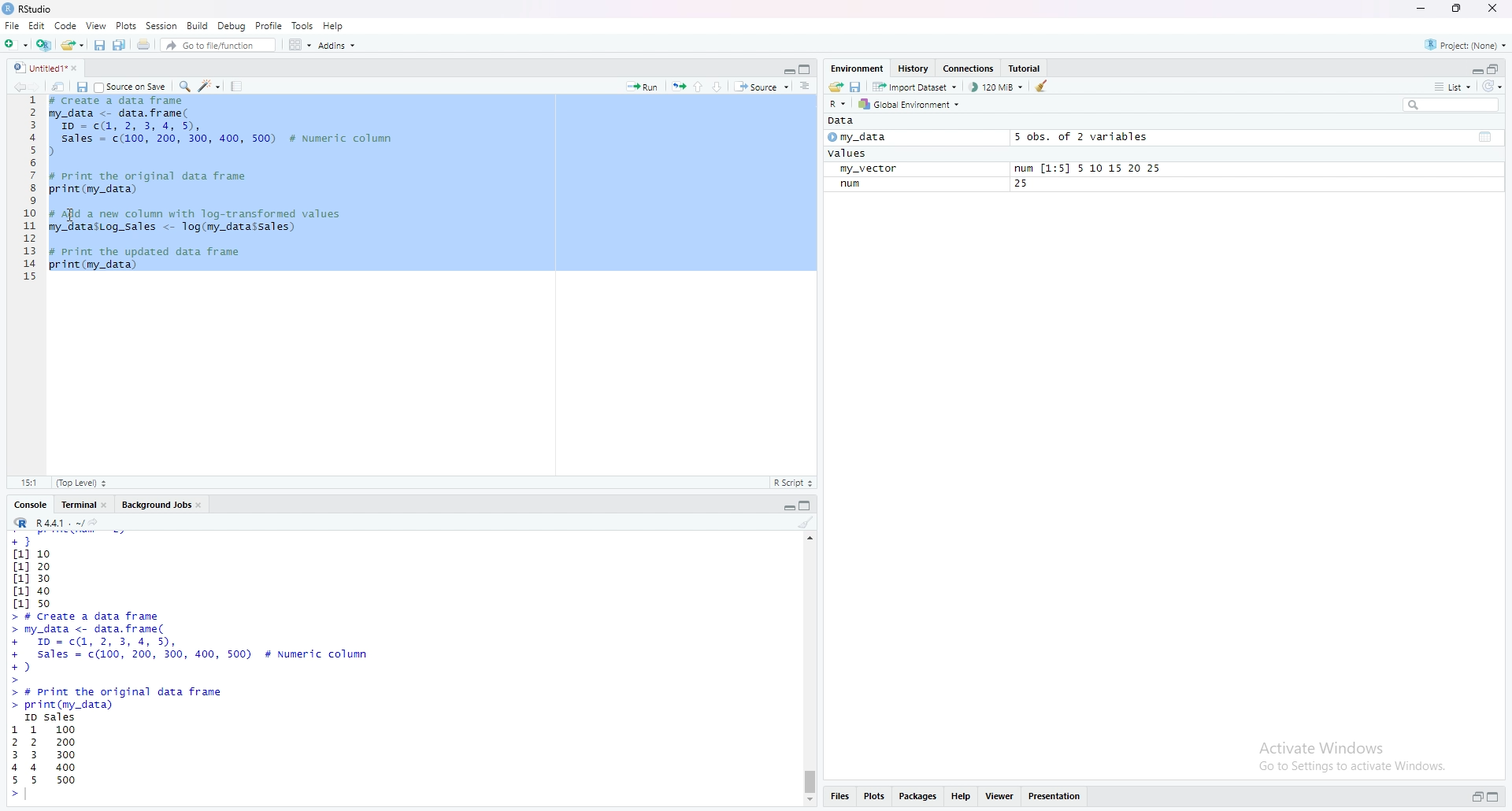 The width and height of the screenshot is (1512, 811). I want to click on file, so click(13, 25).